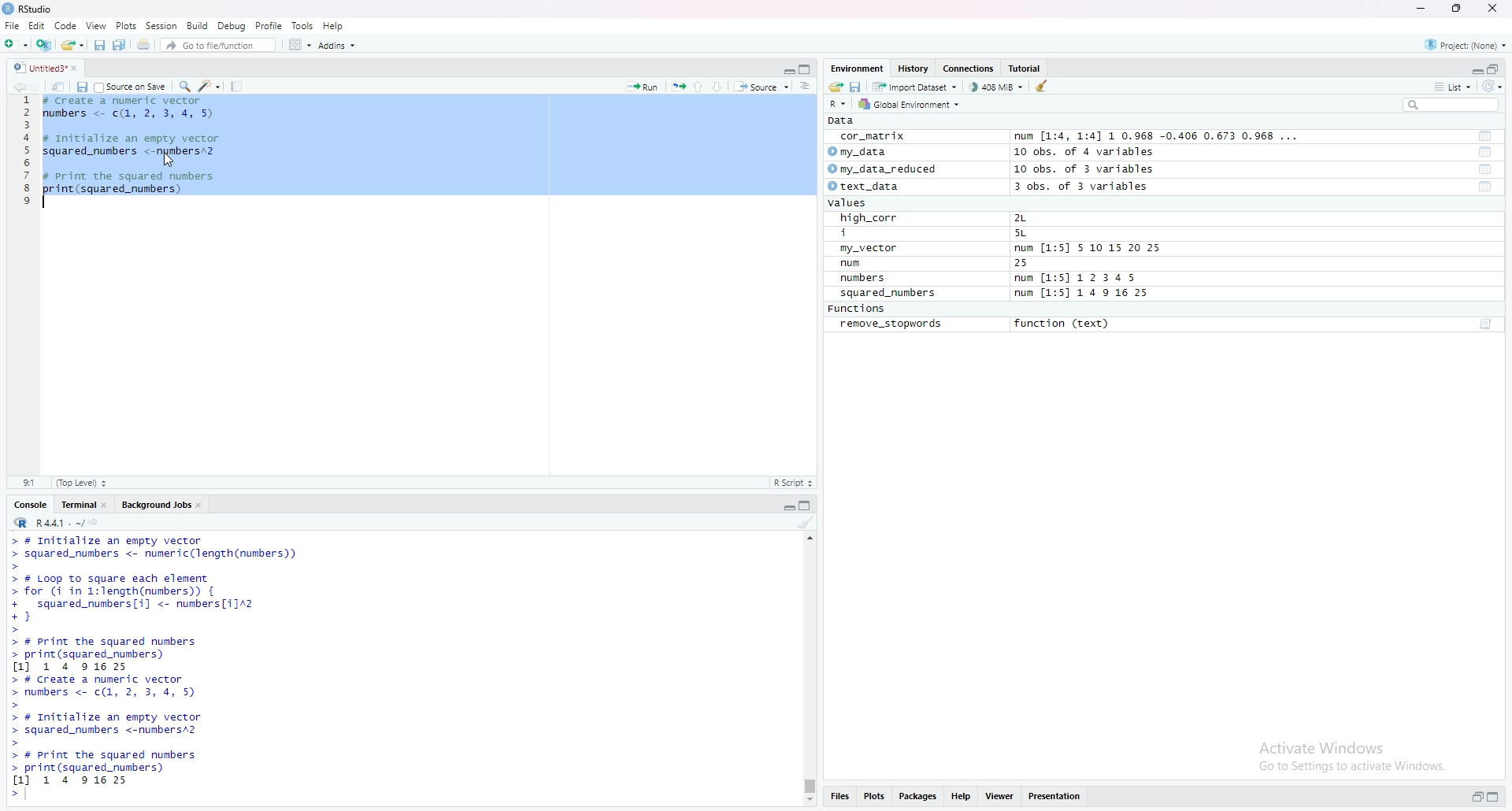  Describe the element at coordinates (868, 264) in the screenshot. I see `num` at that location.